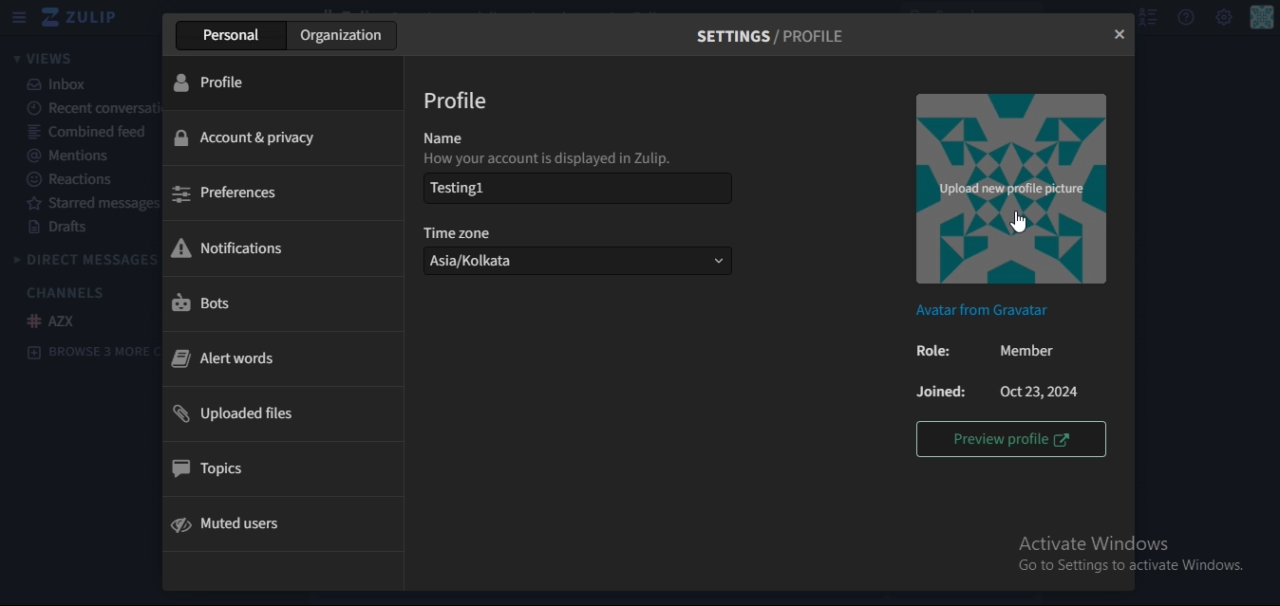  Describe the element at coordinates (81, 19) in the screenshot. I see `icon` at that location.